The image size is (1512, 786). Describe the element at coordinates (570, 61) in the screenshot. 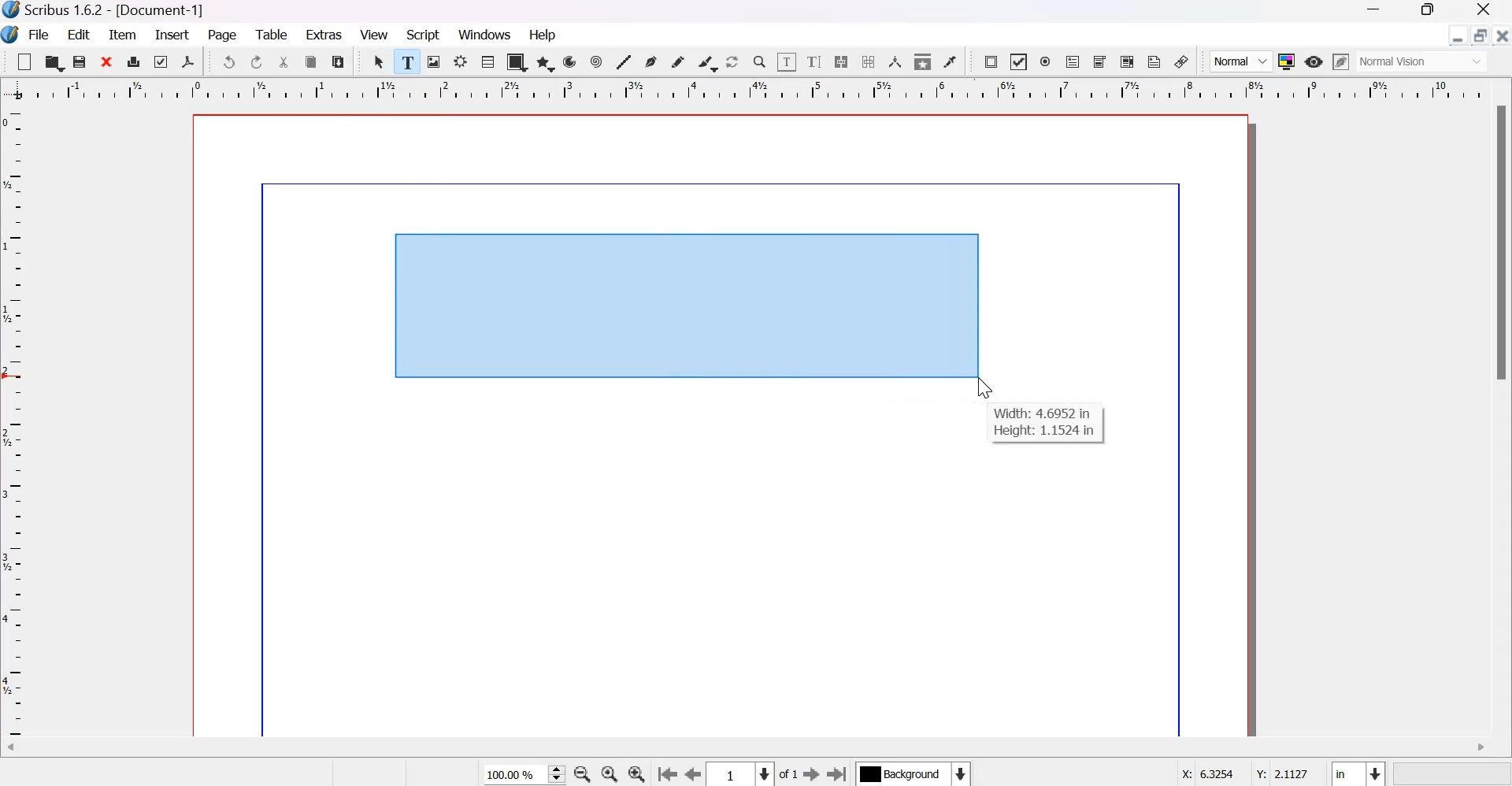

I see `arc` at that location.